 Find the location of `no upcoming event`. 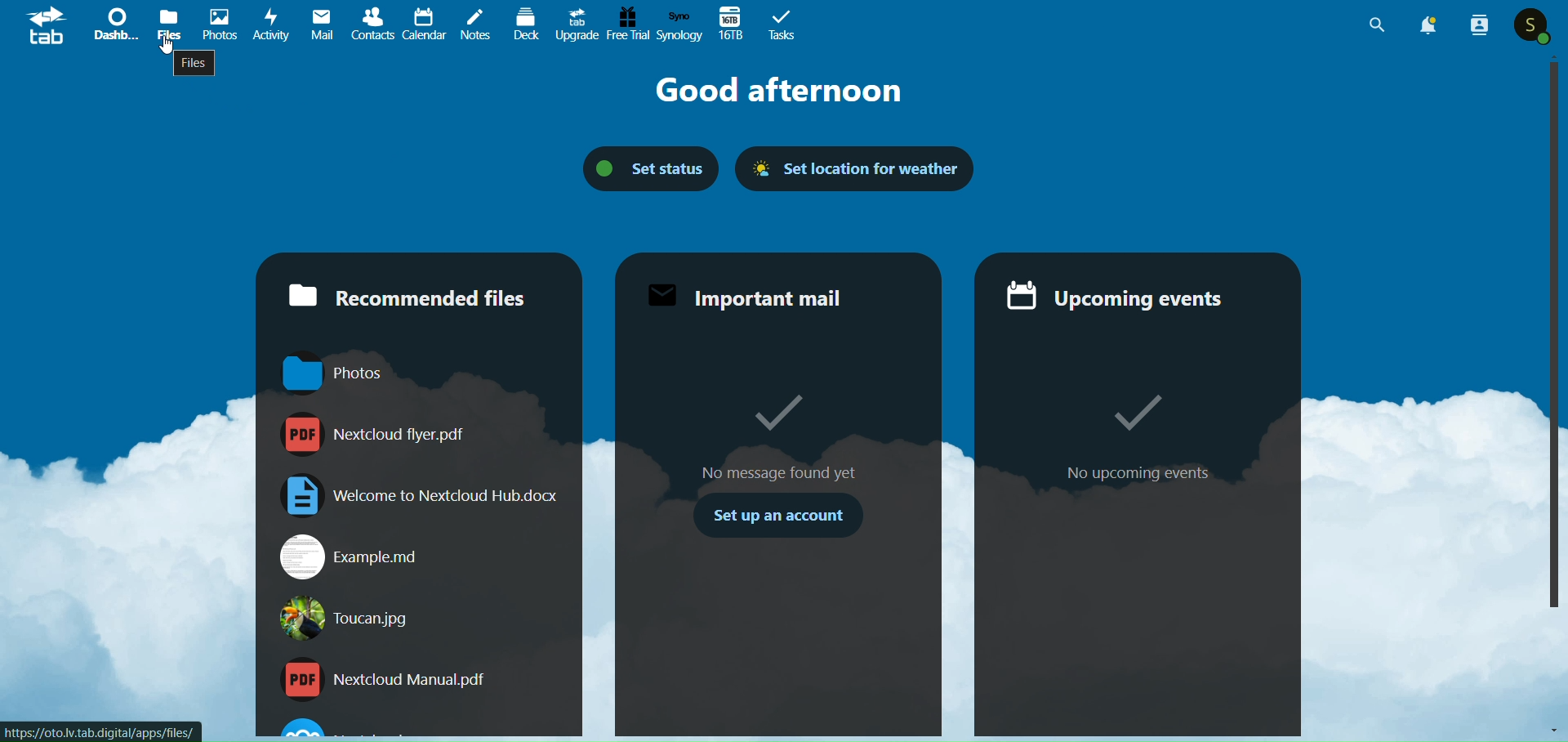

no upcoming event is located at coordinates (1138, 473).